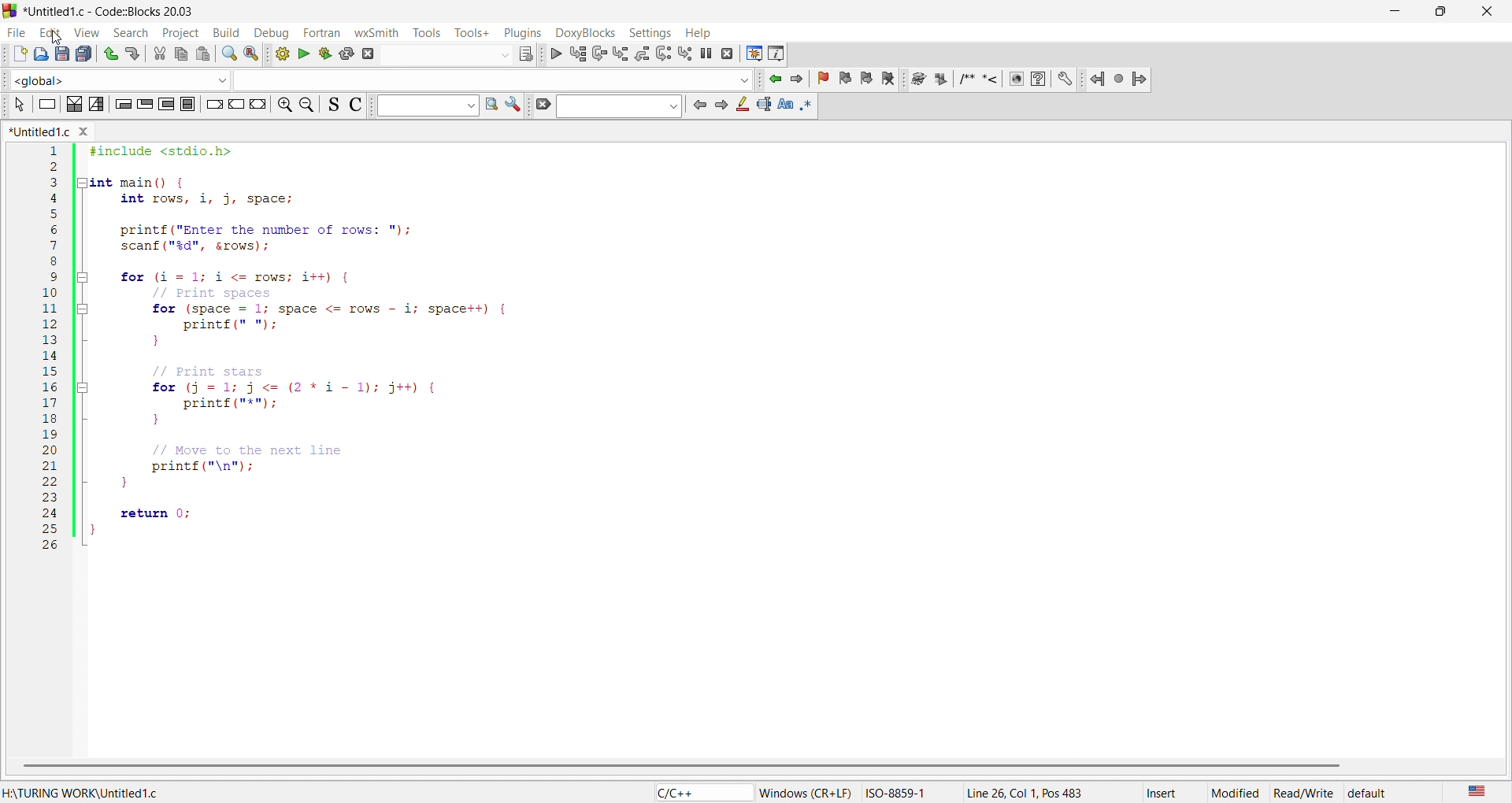 Image resolution: width=1512 pixels, height=803 pixels. Describe the element at coordinates (861, 80) in the screenshot. I see `bookmark icon` at that location.